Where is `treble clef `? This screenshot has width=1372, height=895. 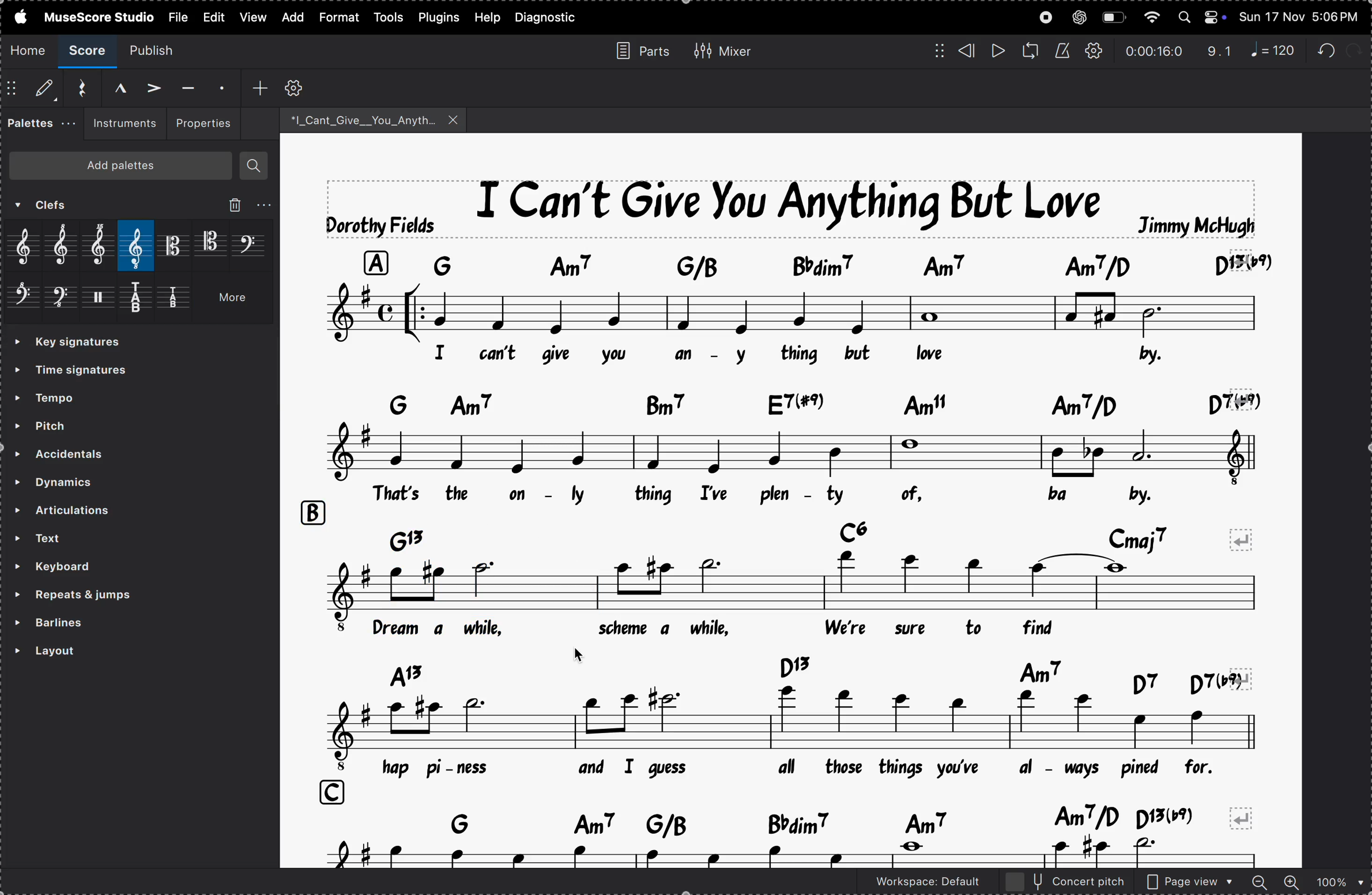 treble clef  is located at coordinates (27, 247).